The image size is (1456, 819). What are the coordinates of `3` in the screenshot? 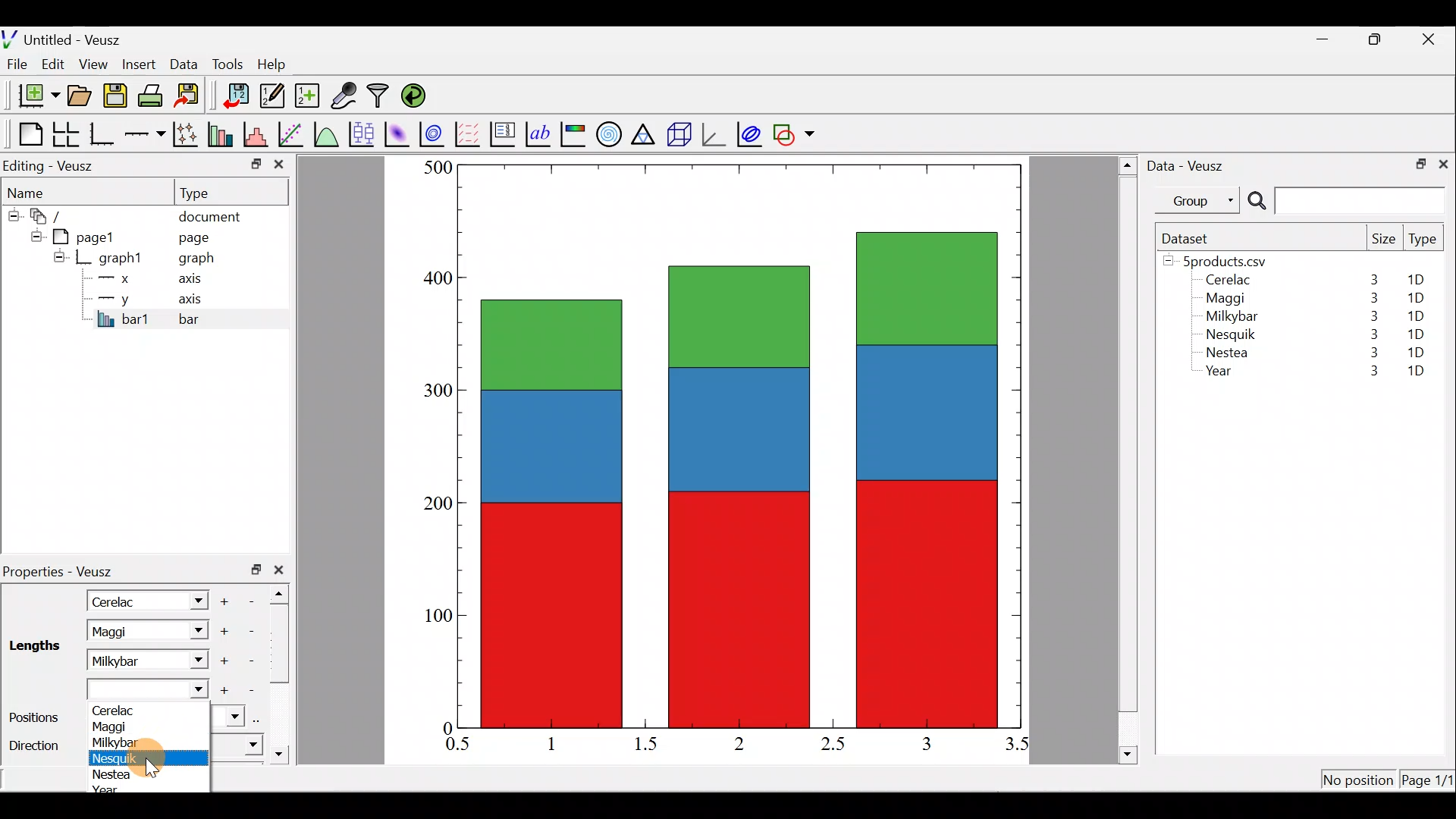 It's located at (1370, 298).